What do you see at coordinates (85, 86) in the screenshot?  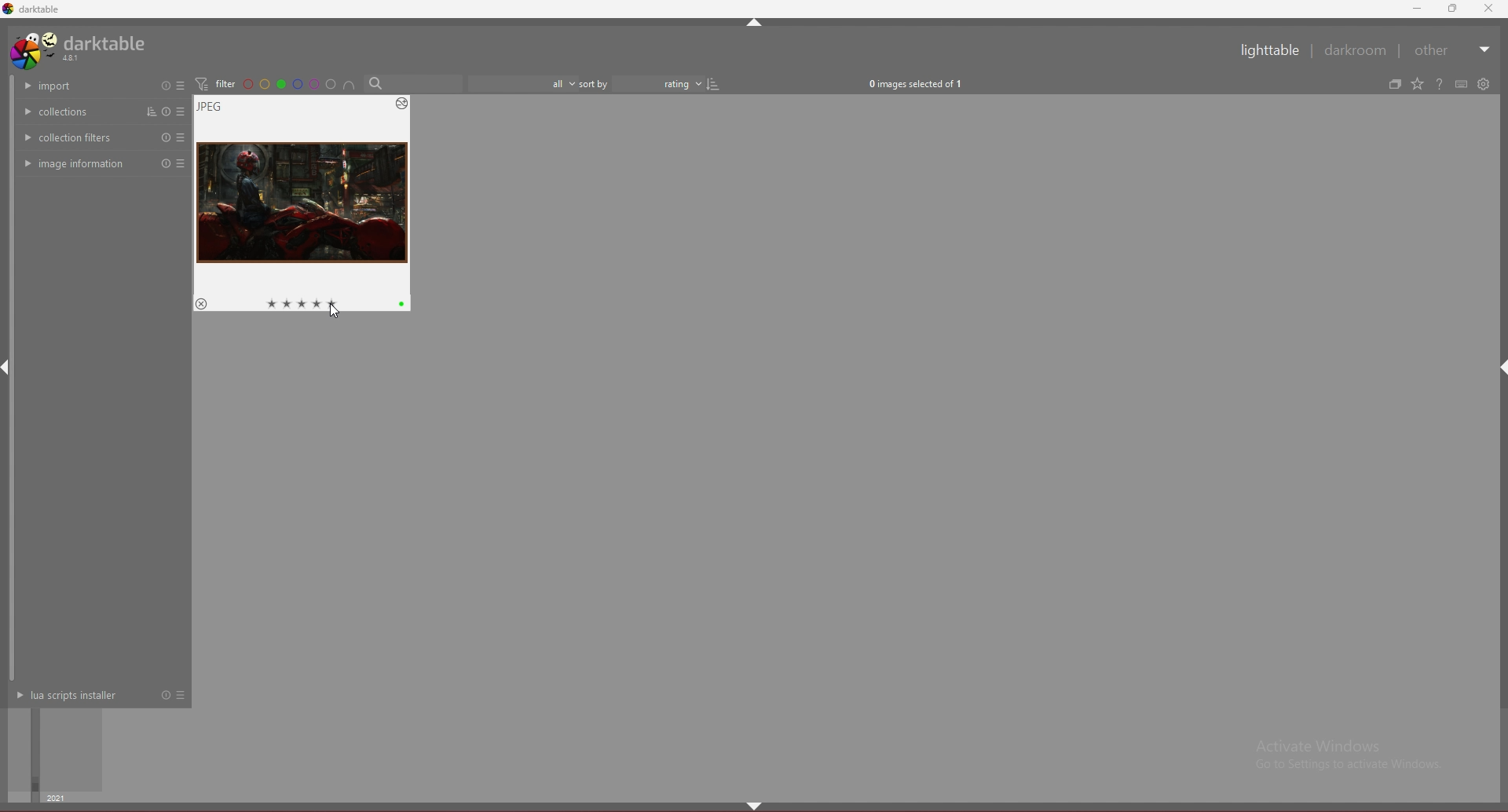 I see `import` at bounding box center [85, 86].